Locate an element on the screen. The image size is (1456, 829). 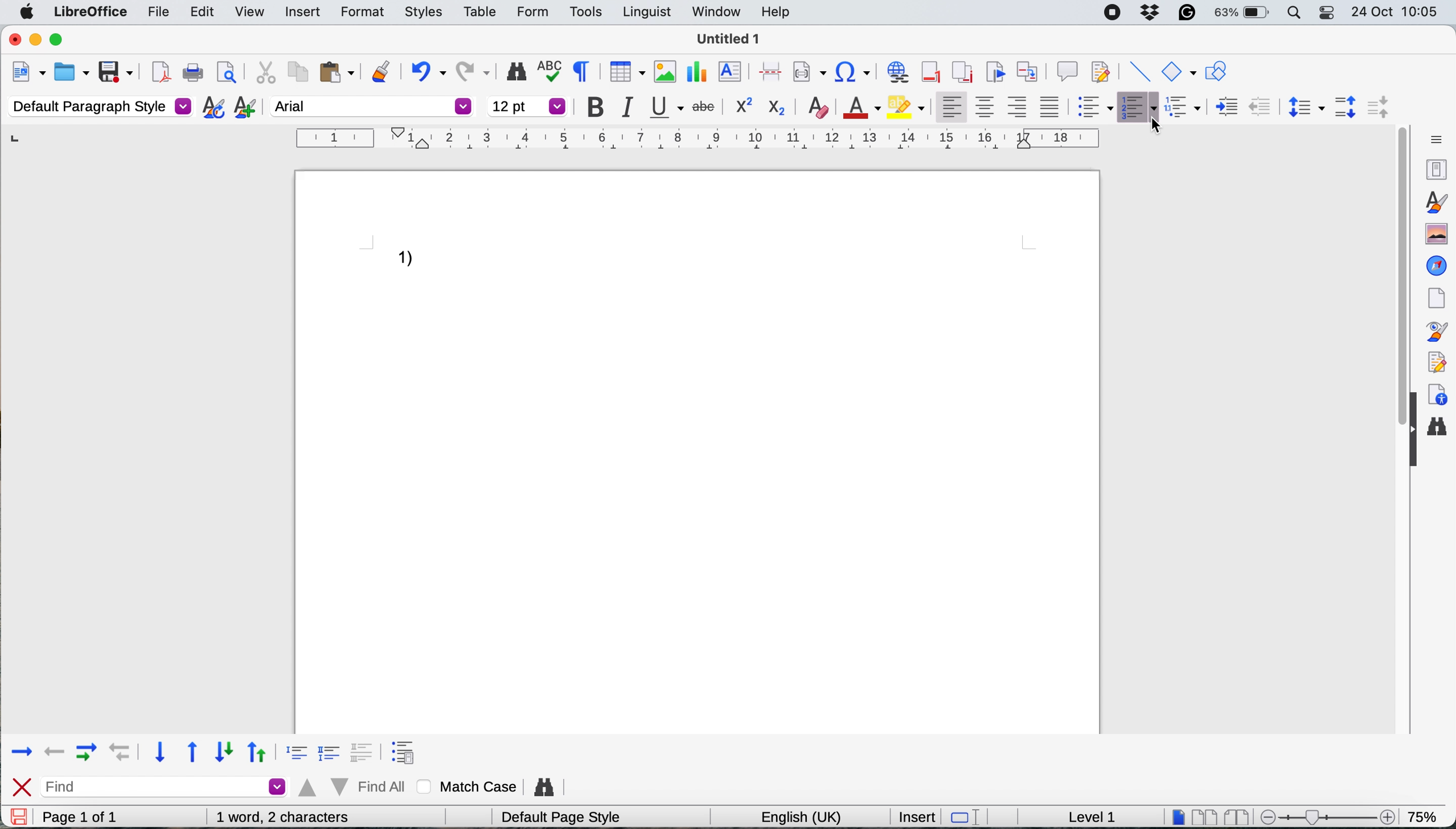
format 4 is located at coordinates (407, 746).